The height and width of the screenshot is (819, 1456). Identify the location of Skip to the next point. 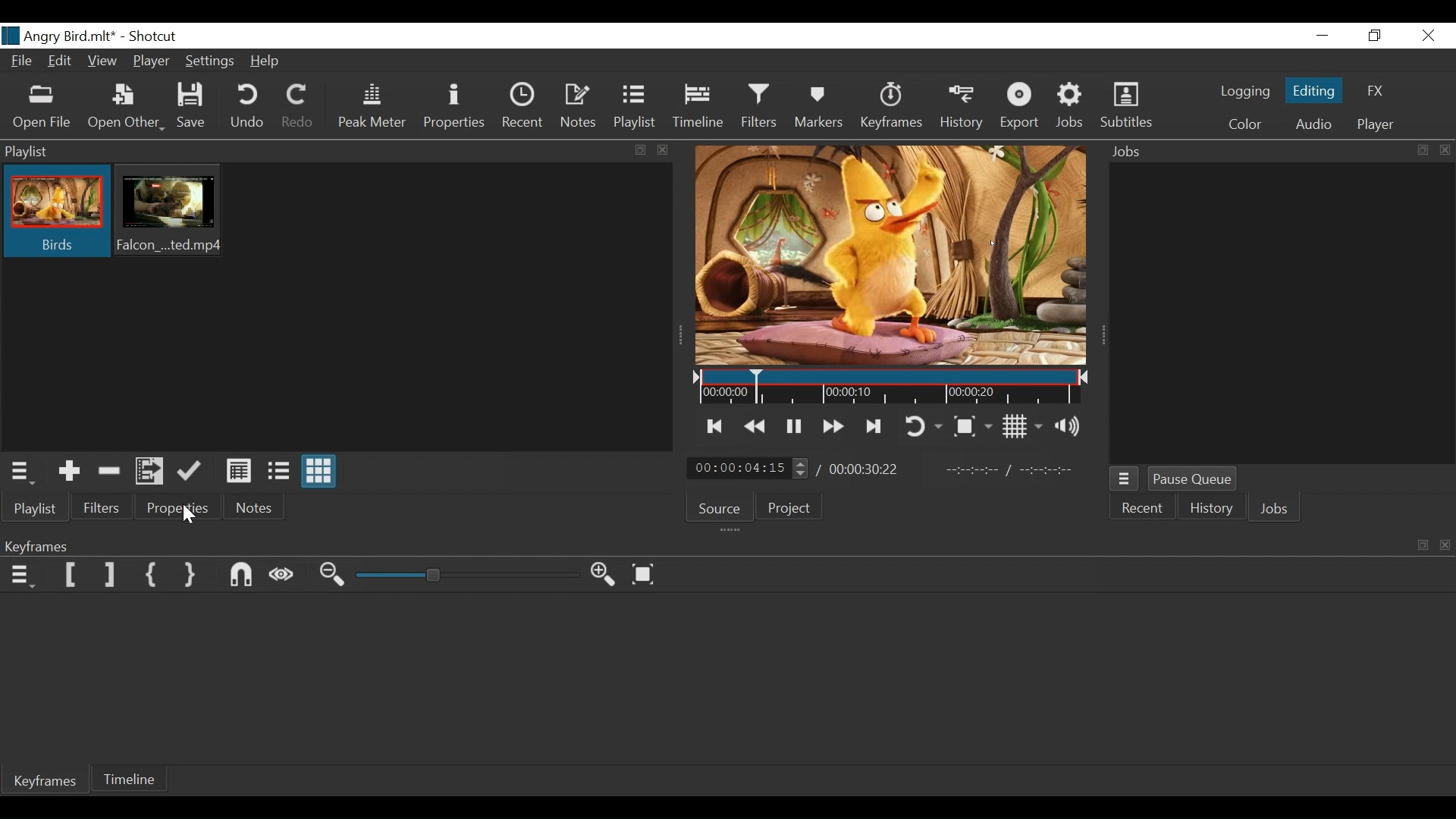
(716, 426).